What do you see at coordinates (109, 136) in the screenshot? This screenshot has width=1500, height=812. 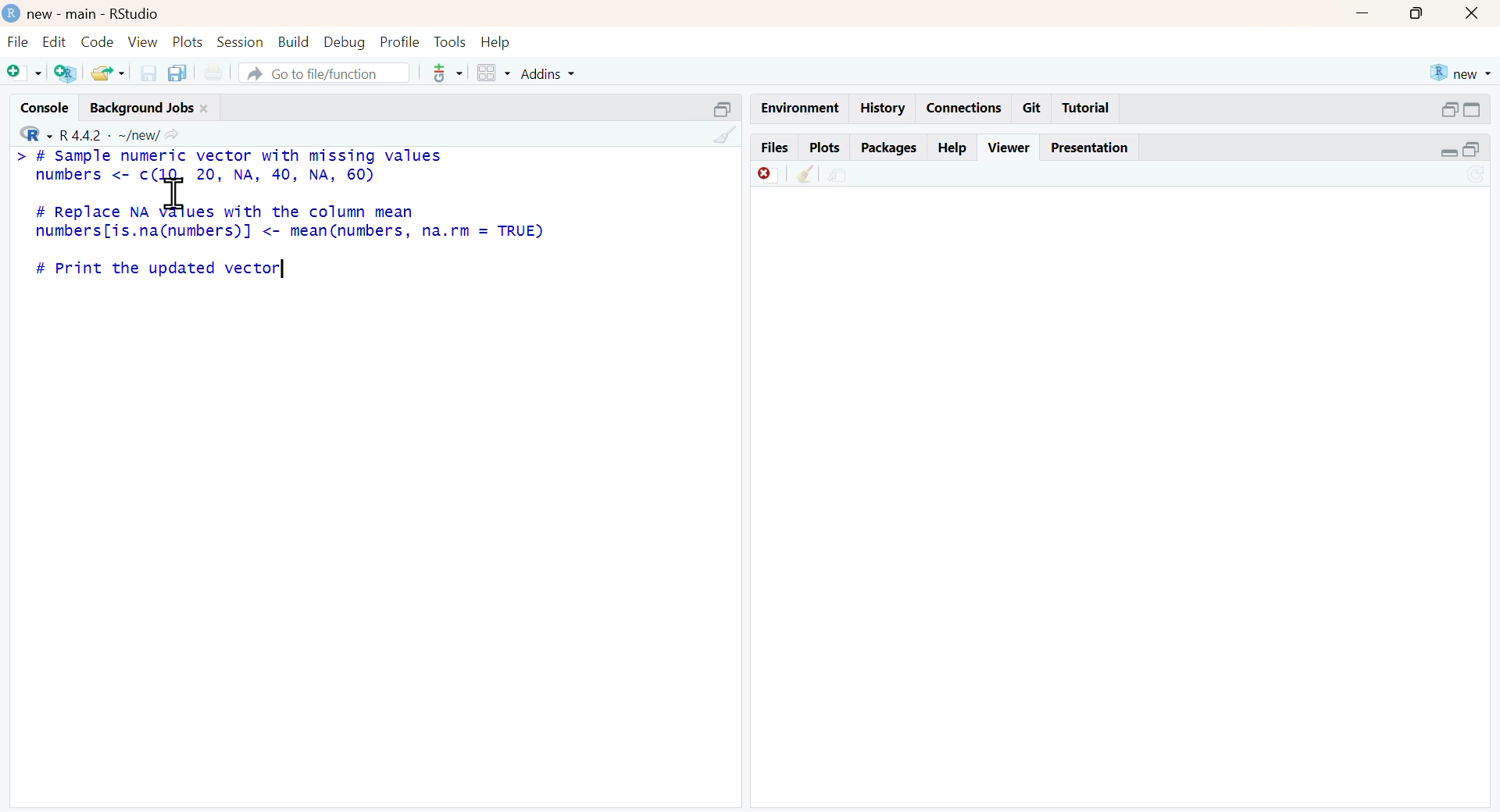 I see `R 4.4.2 ~/new/` at bounding box center [109, 136].